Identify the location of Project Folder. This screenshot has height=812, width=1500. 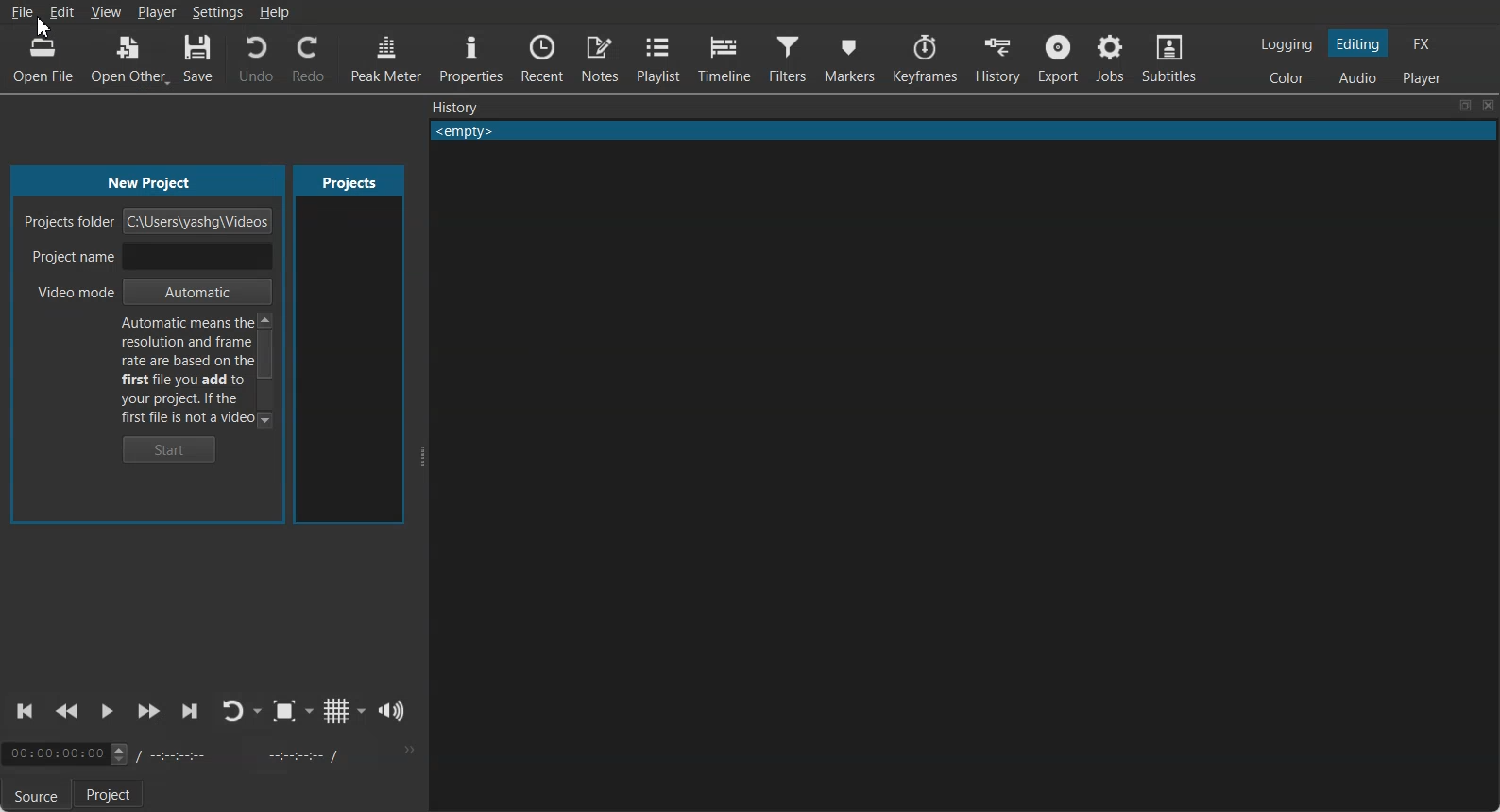
(69, 218).